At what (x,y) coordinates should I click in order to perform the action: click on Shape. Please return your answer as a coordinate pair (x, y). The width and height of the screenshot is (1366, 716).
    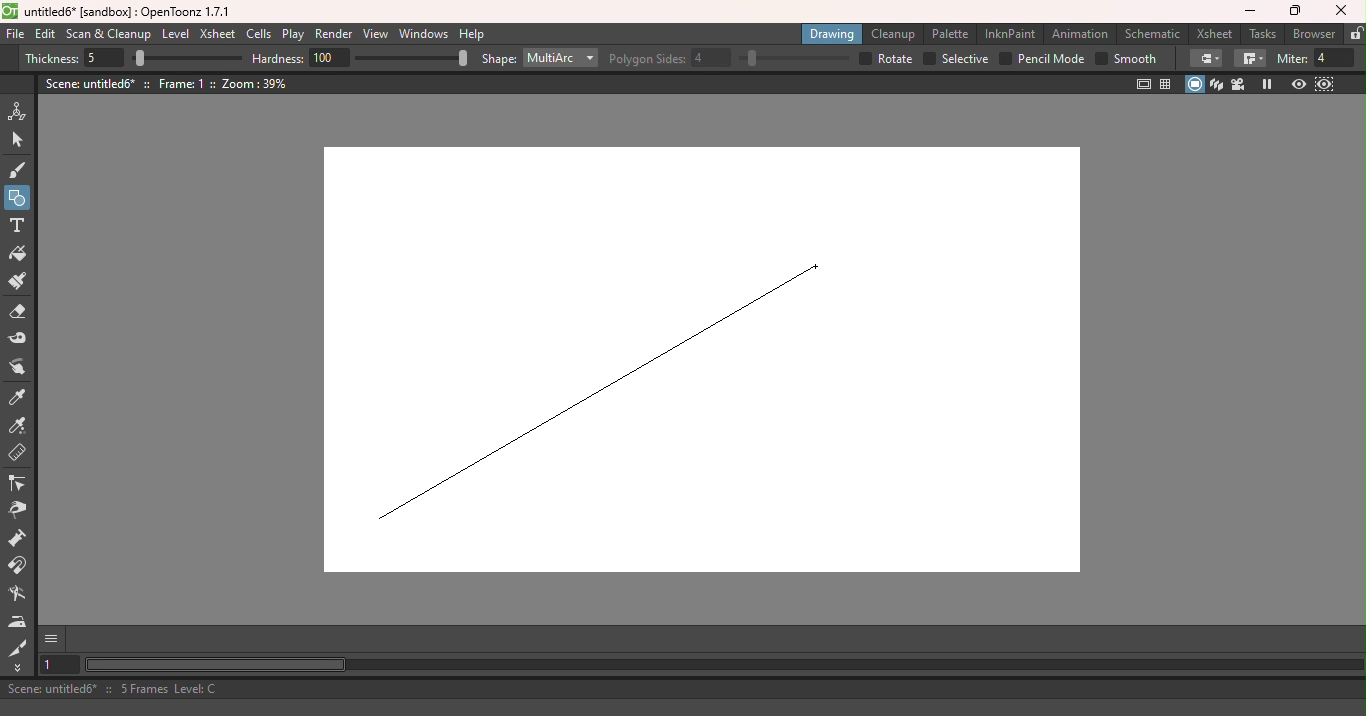
    Looking at the image, I should click on (497, 60).